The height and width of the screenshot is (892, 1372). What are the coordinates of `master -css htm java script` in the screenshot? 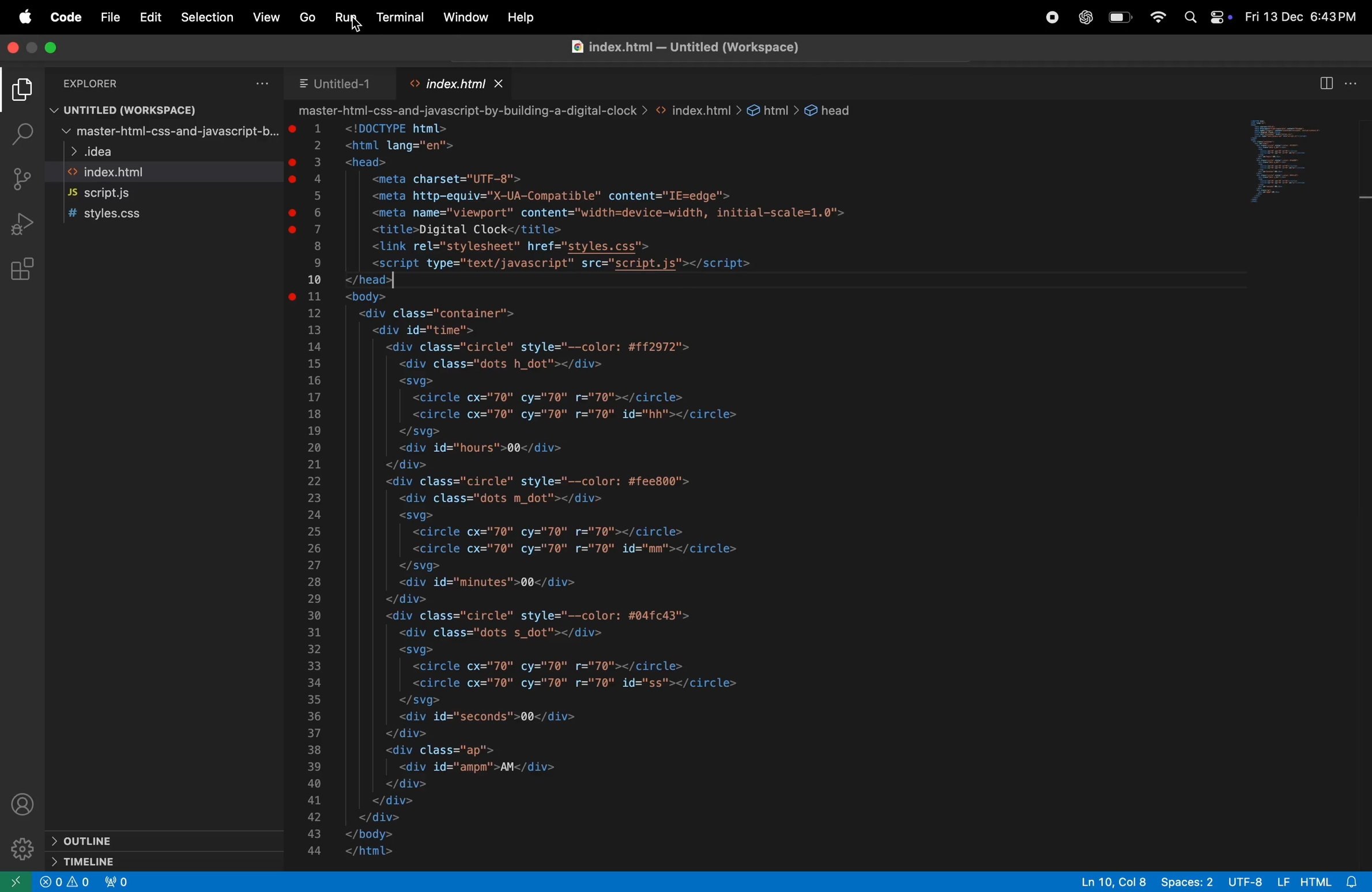 It's located at (163, 133).